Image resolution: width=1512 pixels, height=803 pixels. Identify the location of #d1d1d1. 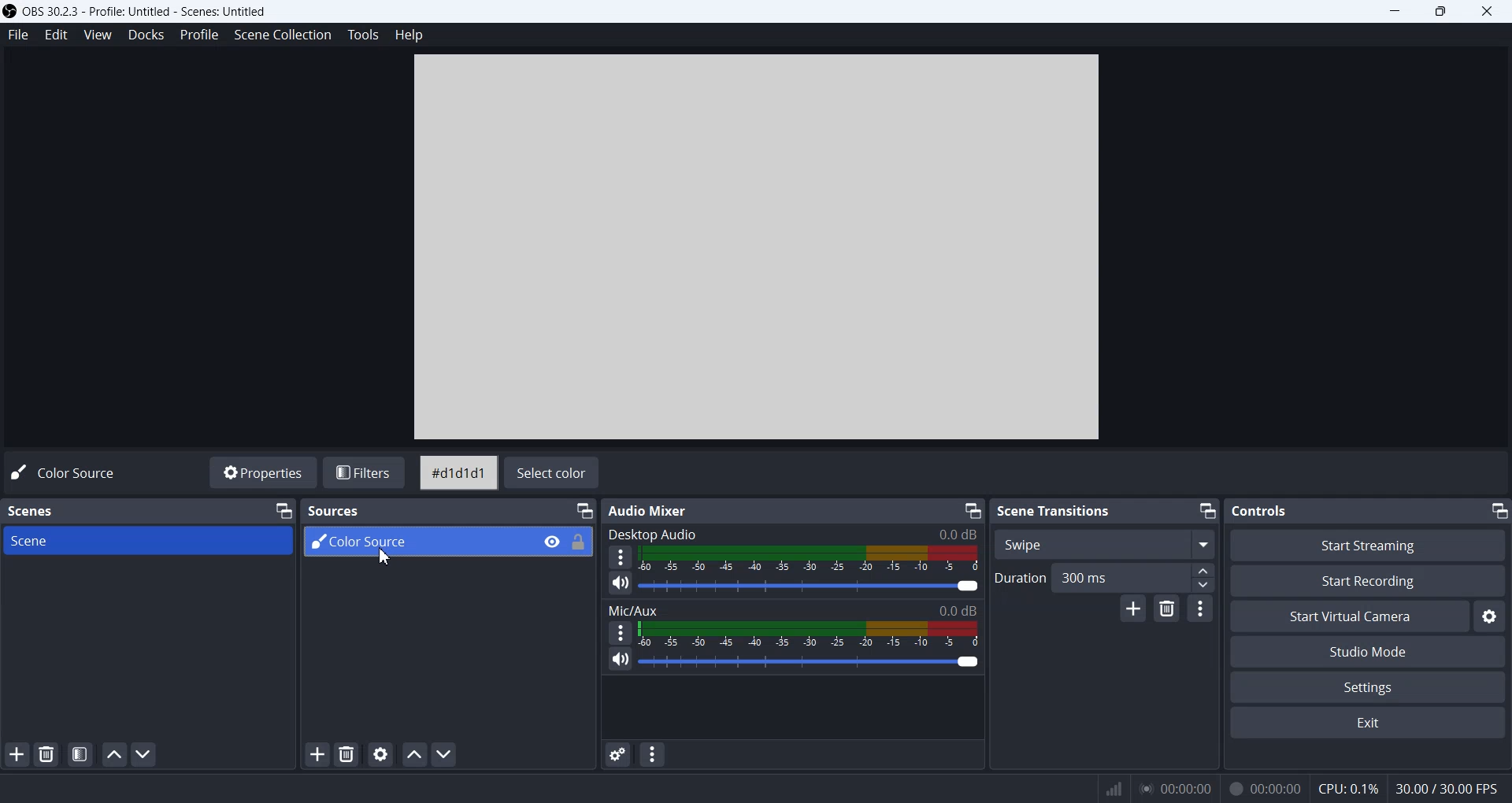
(458, 472).